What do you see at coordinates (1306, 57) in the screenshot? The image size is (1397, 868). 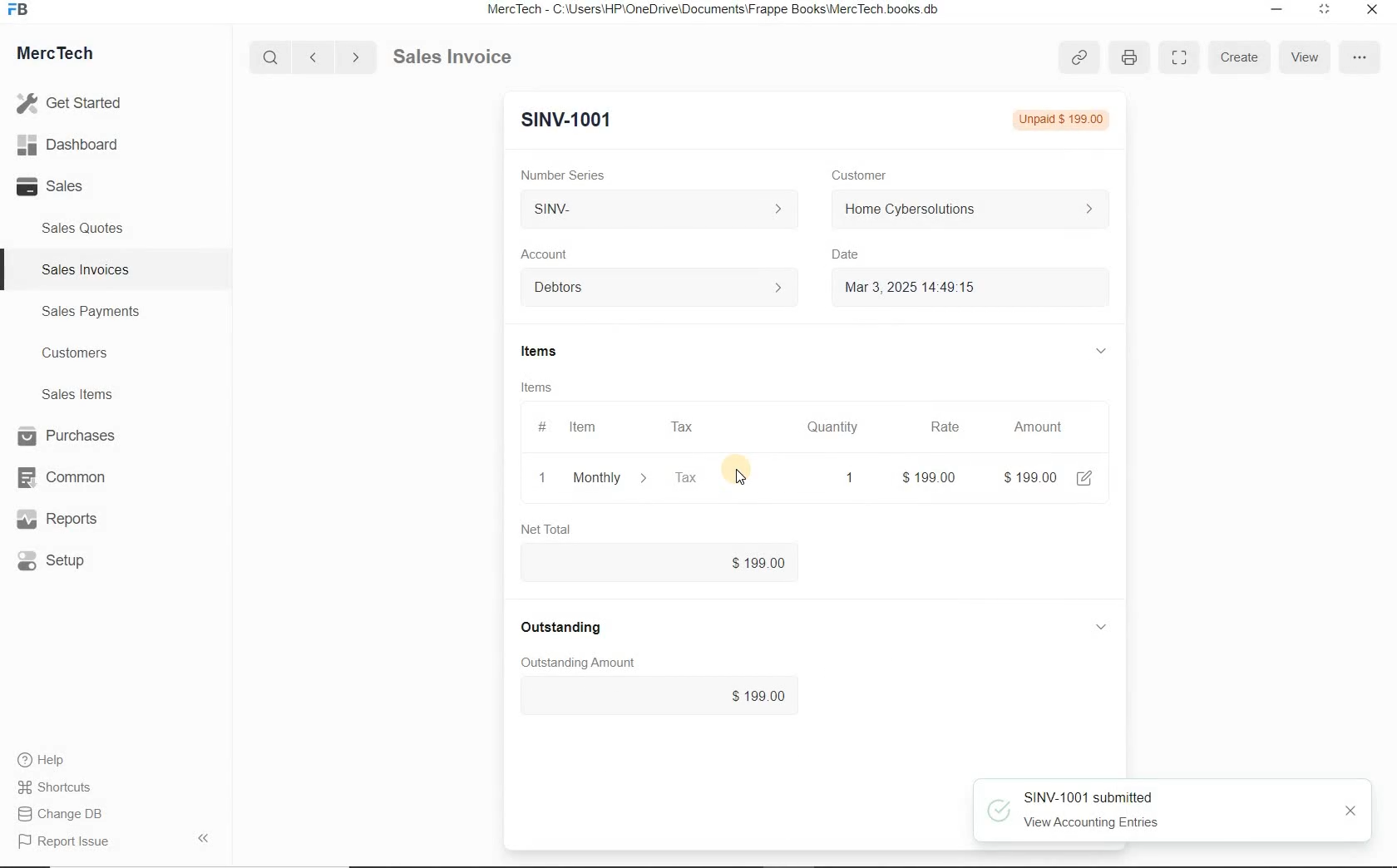 I see `View` at bounding box center [1306, 57].